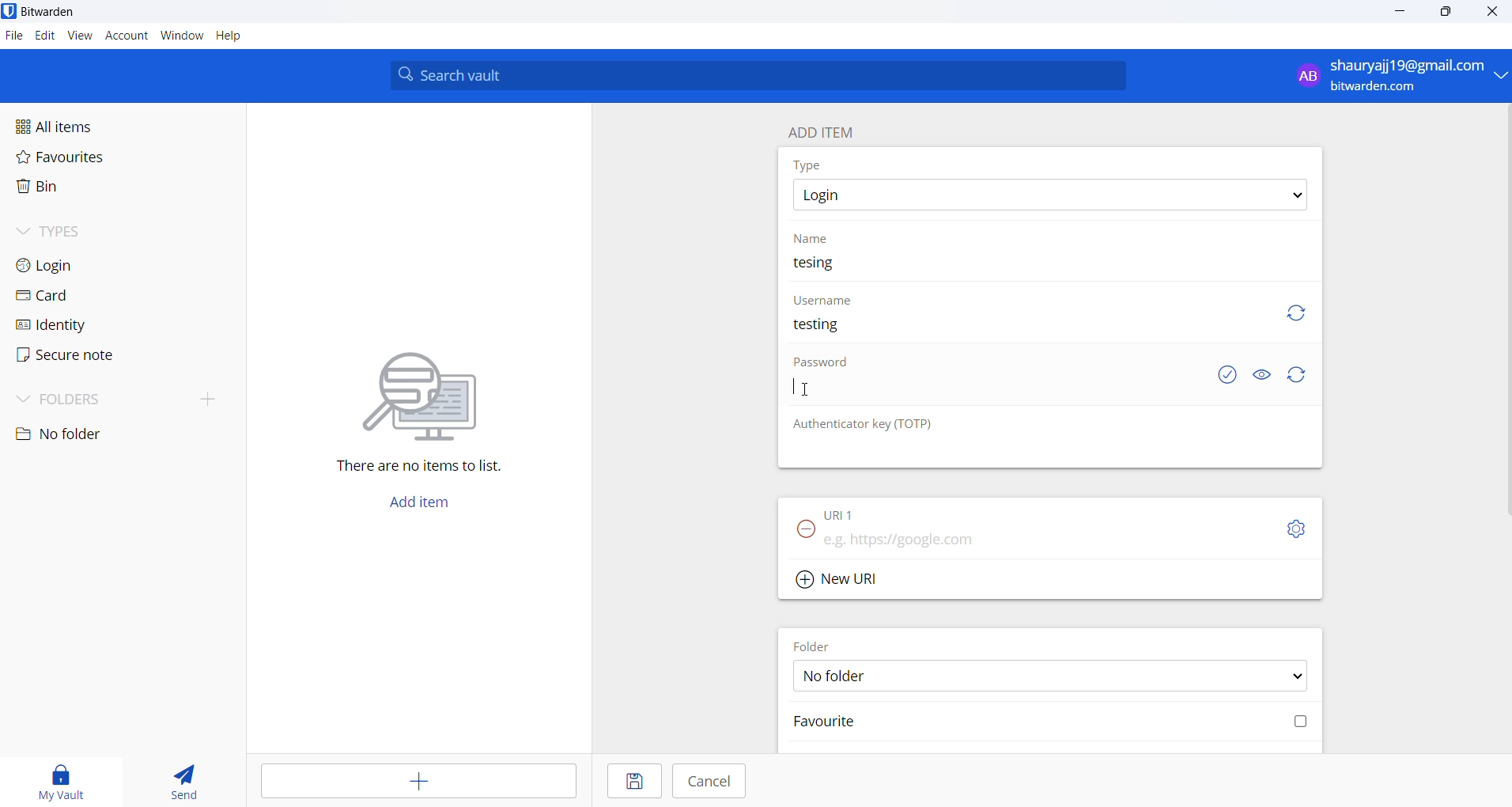 The width and height of the screenshot is (1512, 807). I want to click on send, so click(185, 783).